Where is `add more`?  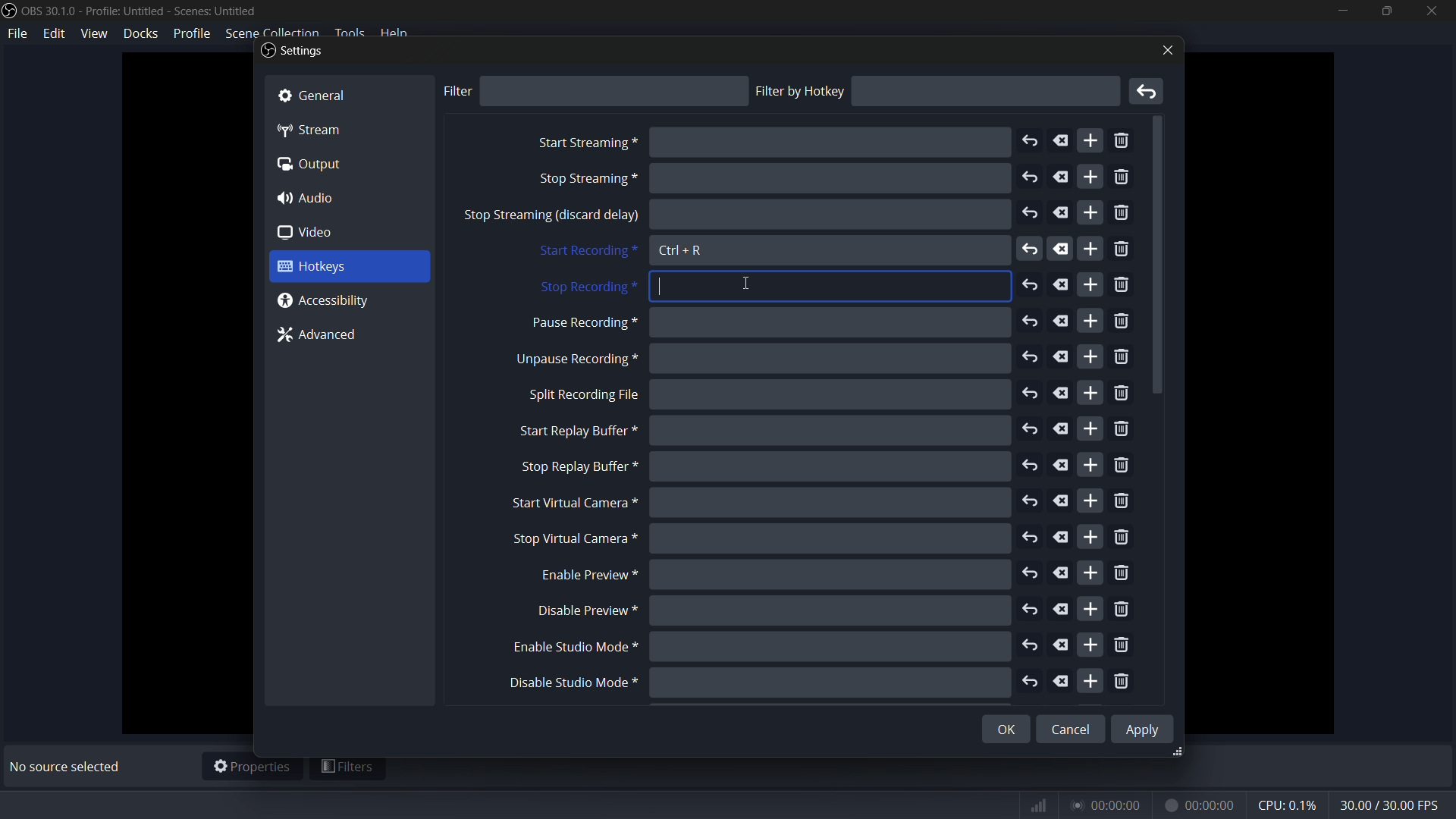
add more is located at coordinates (1091, 680).